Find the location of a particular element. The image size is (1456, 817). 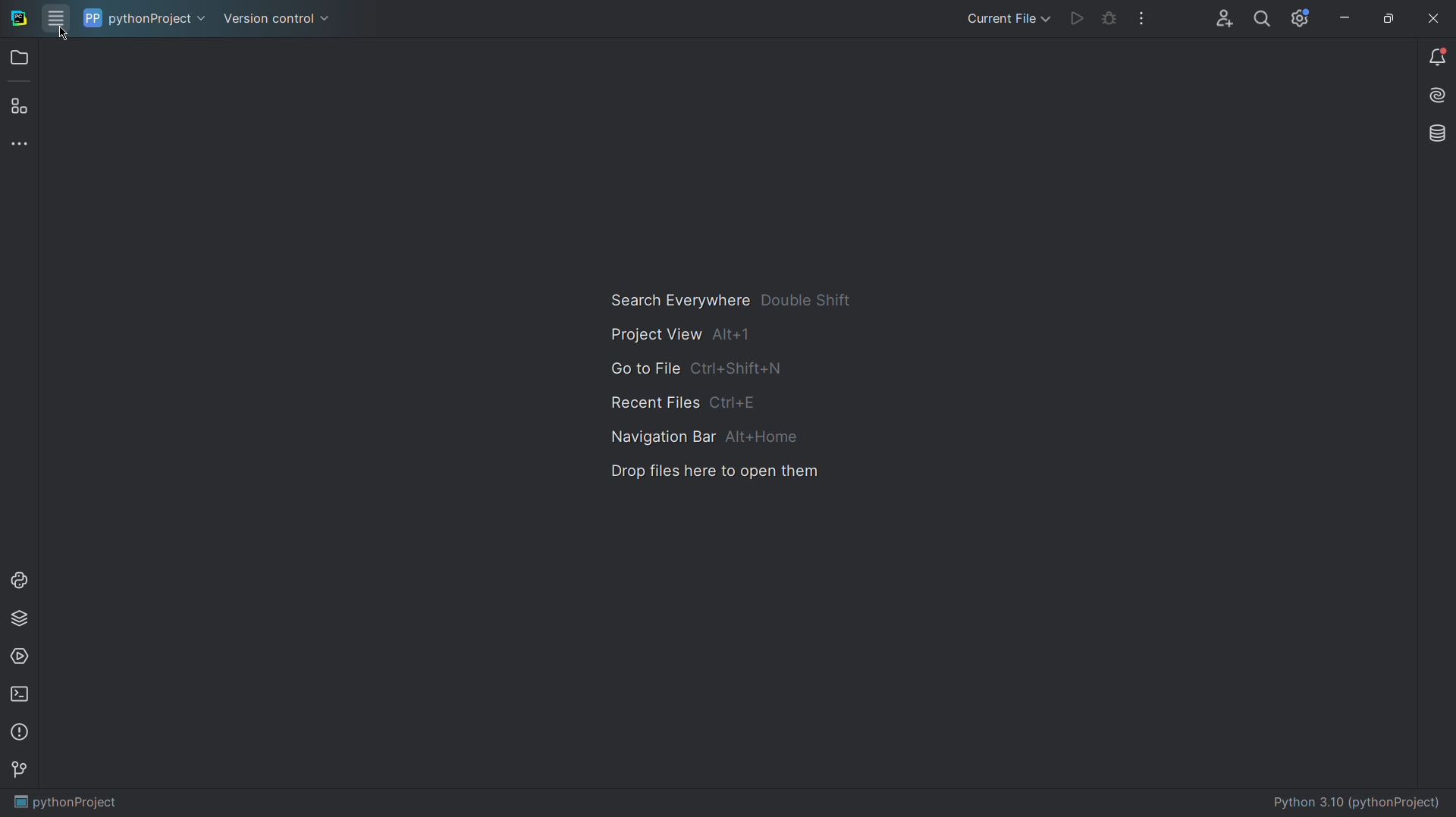

pythonProject is located at coordinates (144, 17).